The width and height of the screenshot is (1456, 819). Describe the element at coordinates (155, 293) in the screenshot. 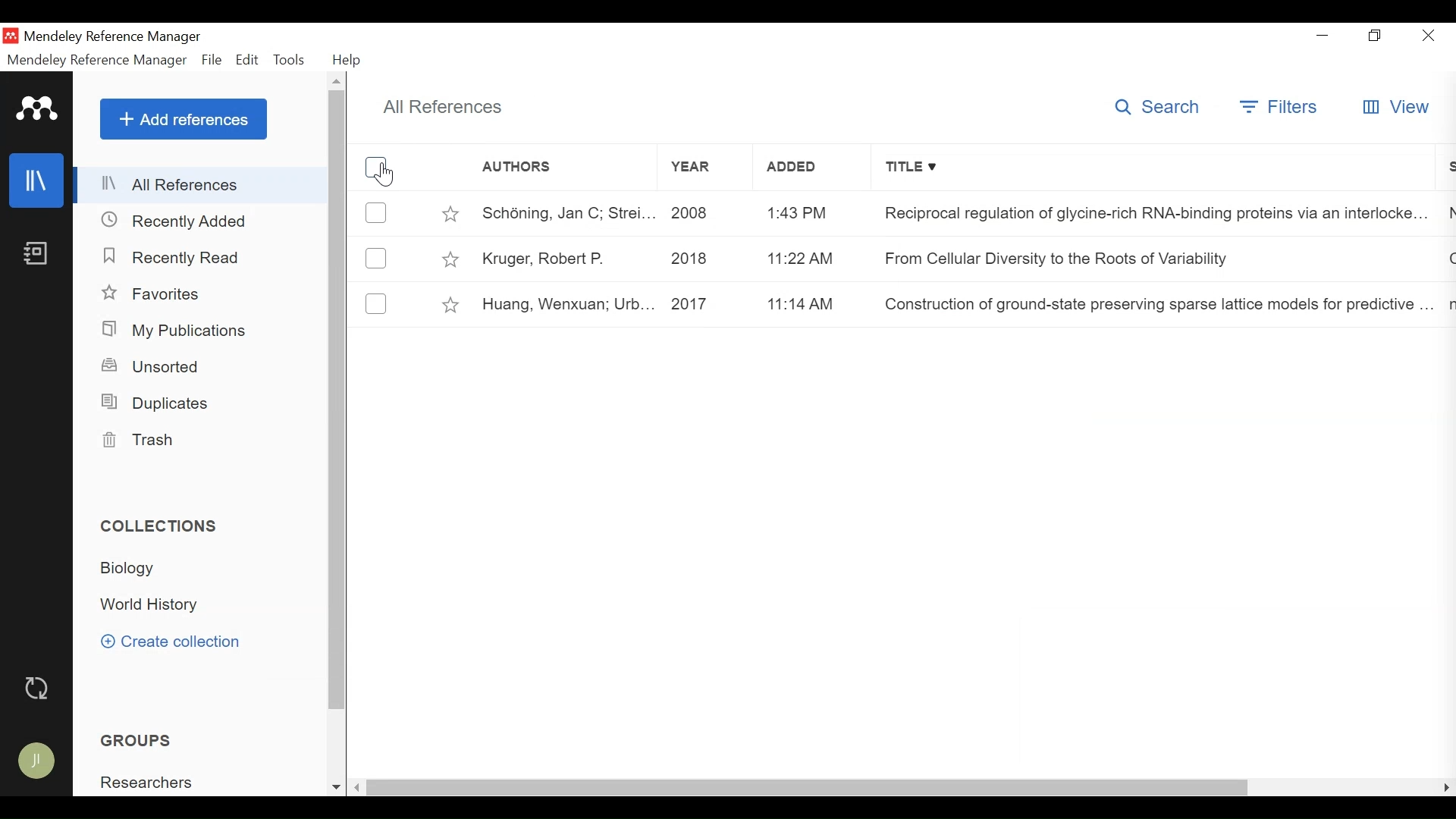

I see `Favorites` at that location.